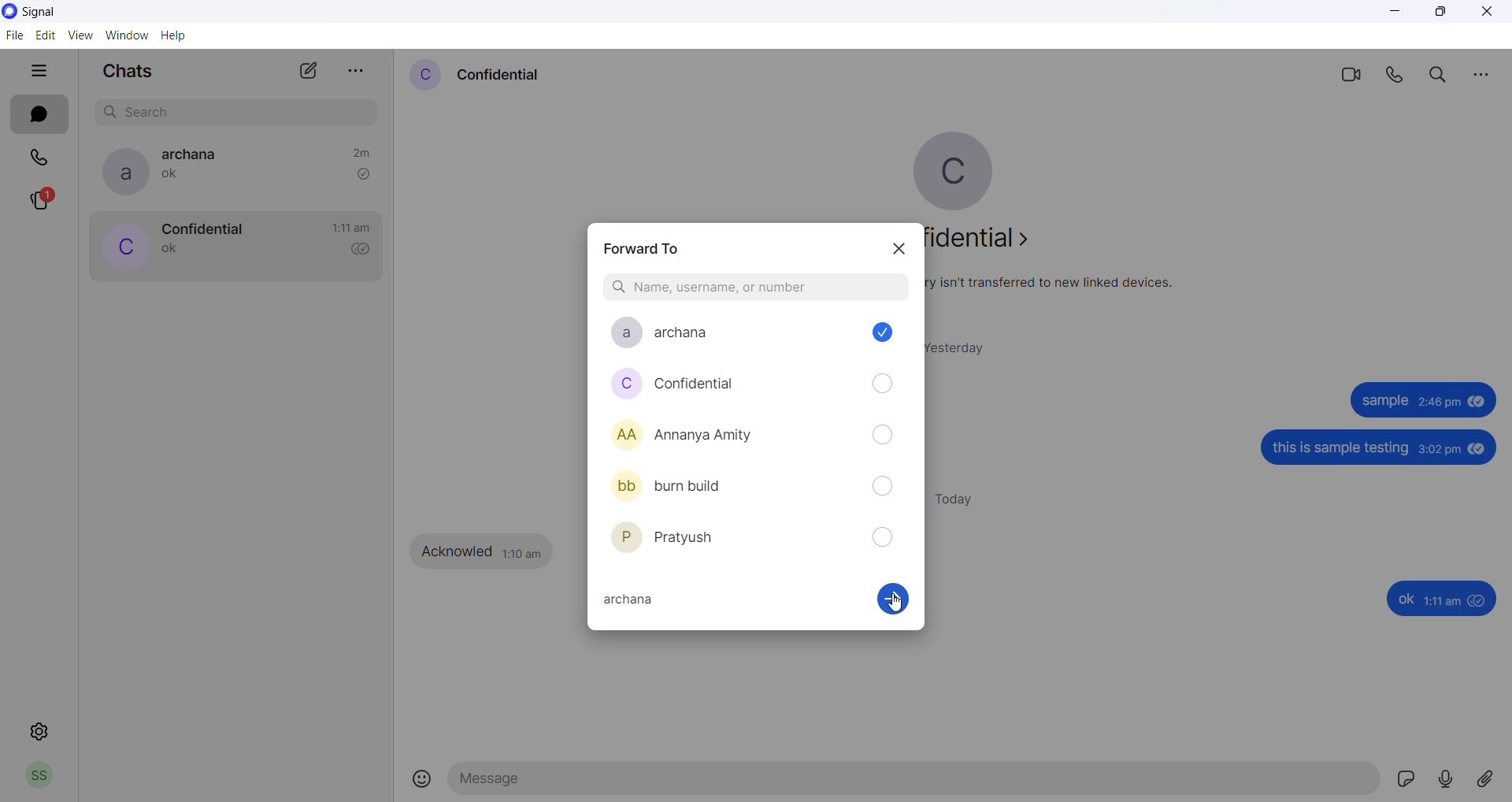 This screenshot has height=802, width=1512. I want to click on 2:46 pm, so click(1438, 404).